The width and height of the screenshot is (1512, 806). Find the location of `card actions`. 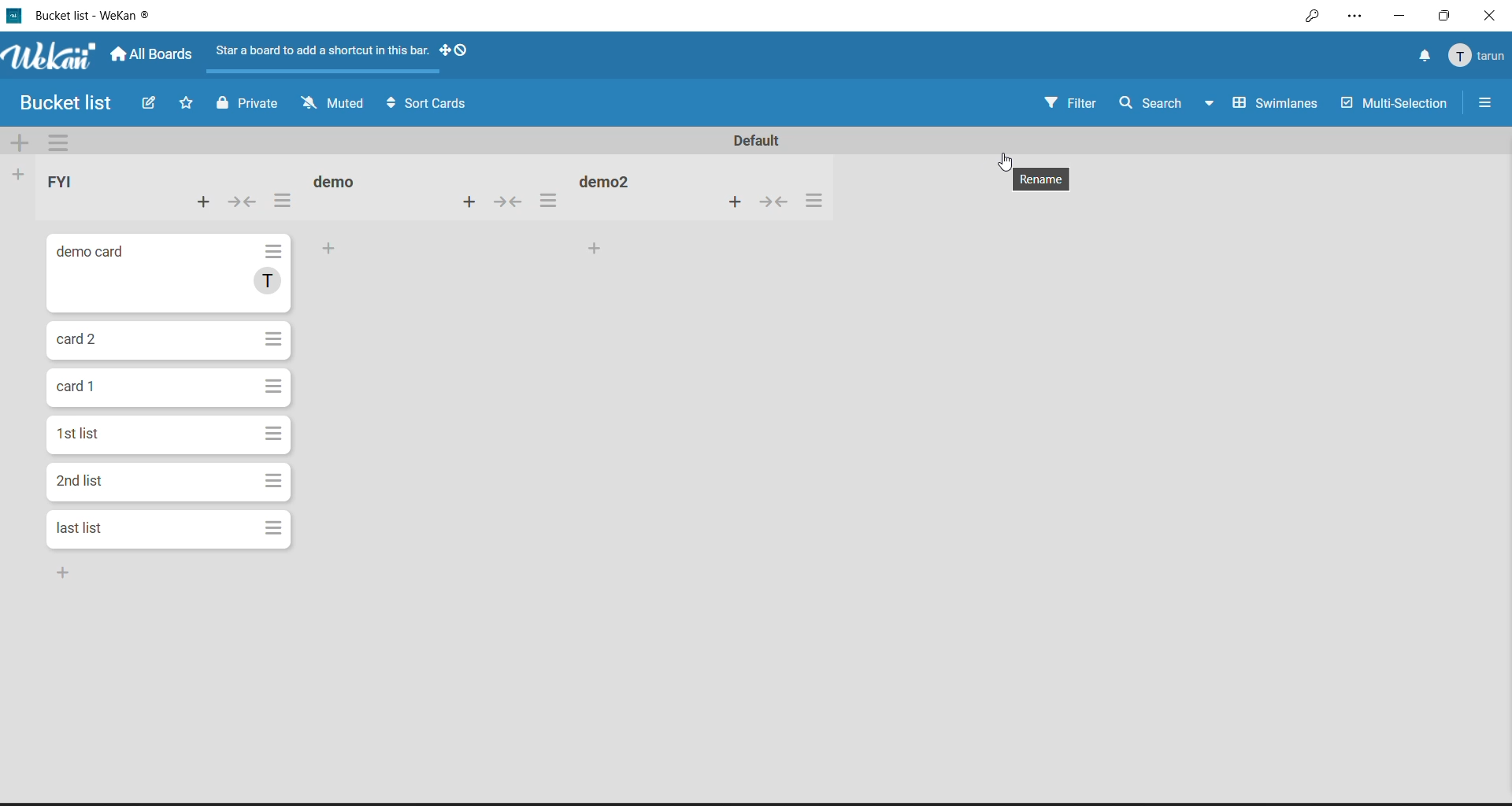

card actions is located at coordinates (274, 483).